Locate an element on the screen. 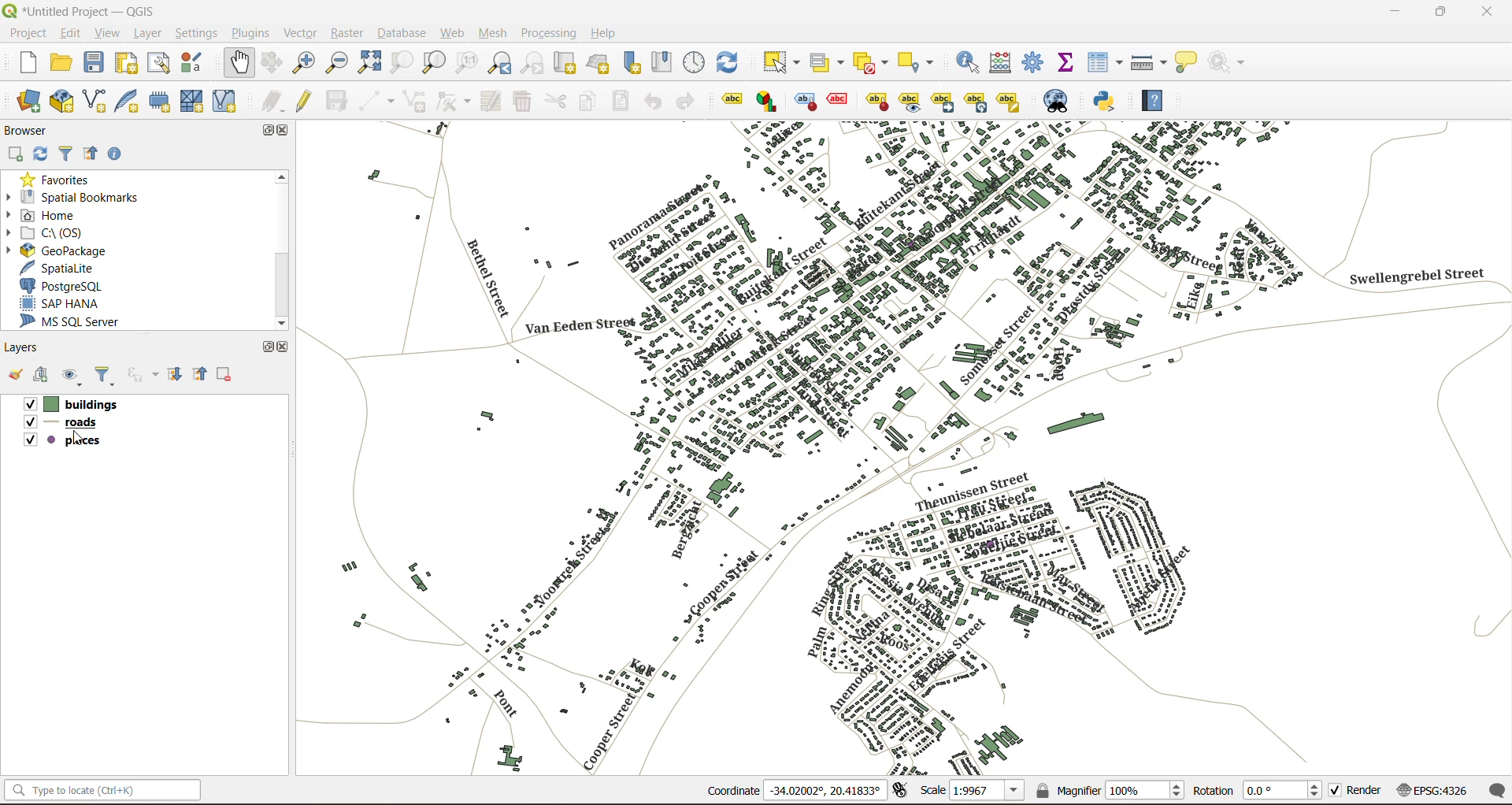 The image size is (1512, 805). places layer is located at coordinates (63, 441).